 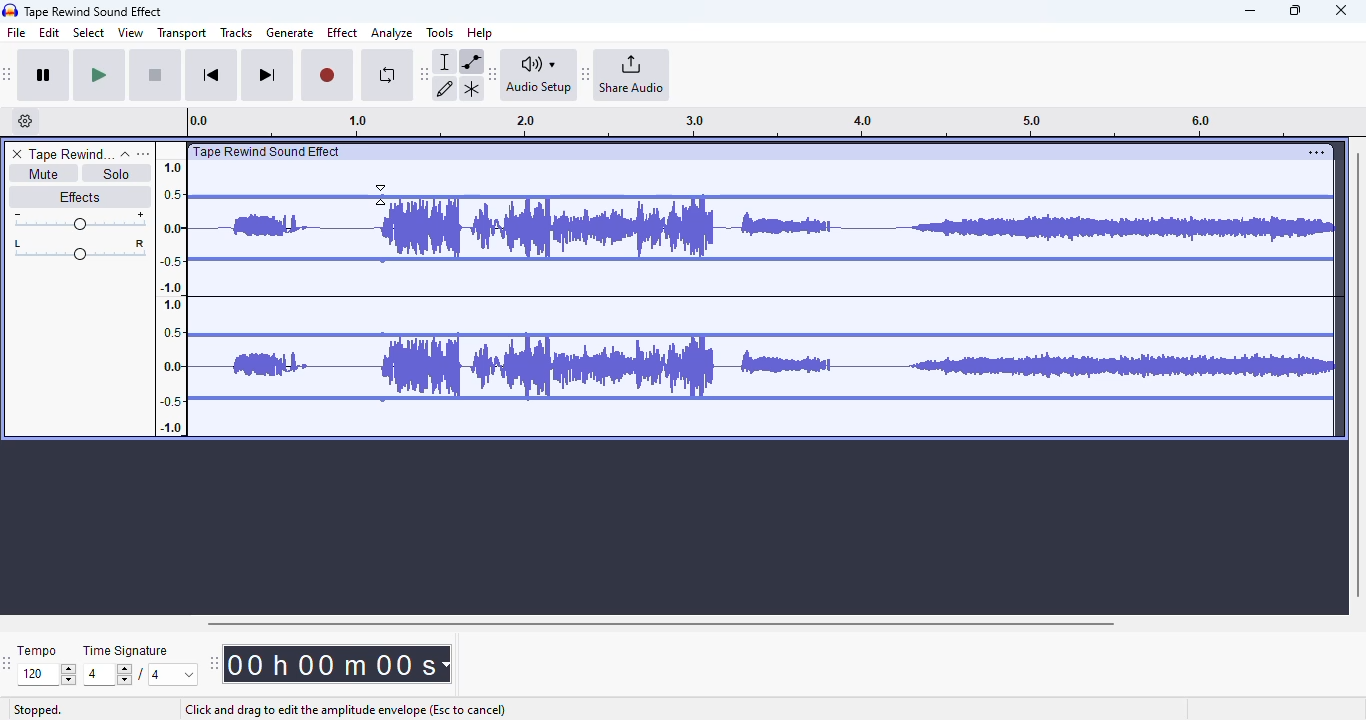 What do you see at coordinates (471, 61) in the screenshot?
I see `envelope tool` at bounding box center [471, 61].